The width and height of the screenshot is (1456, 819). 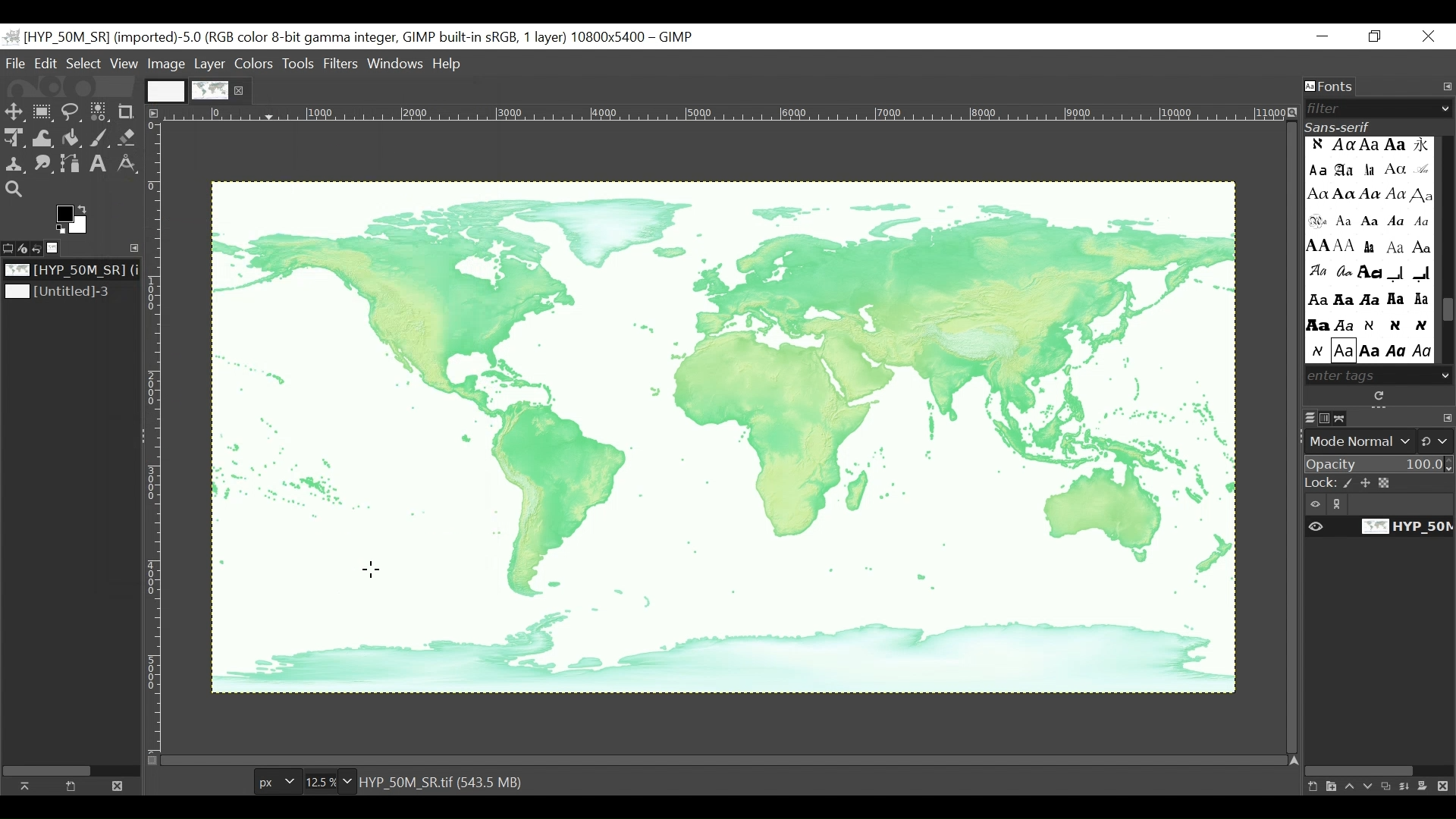 What do you see at coordinates (343, 63) in the screenshot?
I see `Filters` at bounding box center [343, 63].